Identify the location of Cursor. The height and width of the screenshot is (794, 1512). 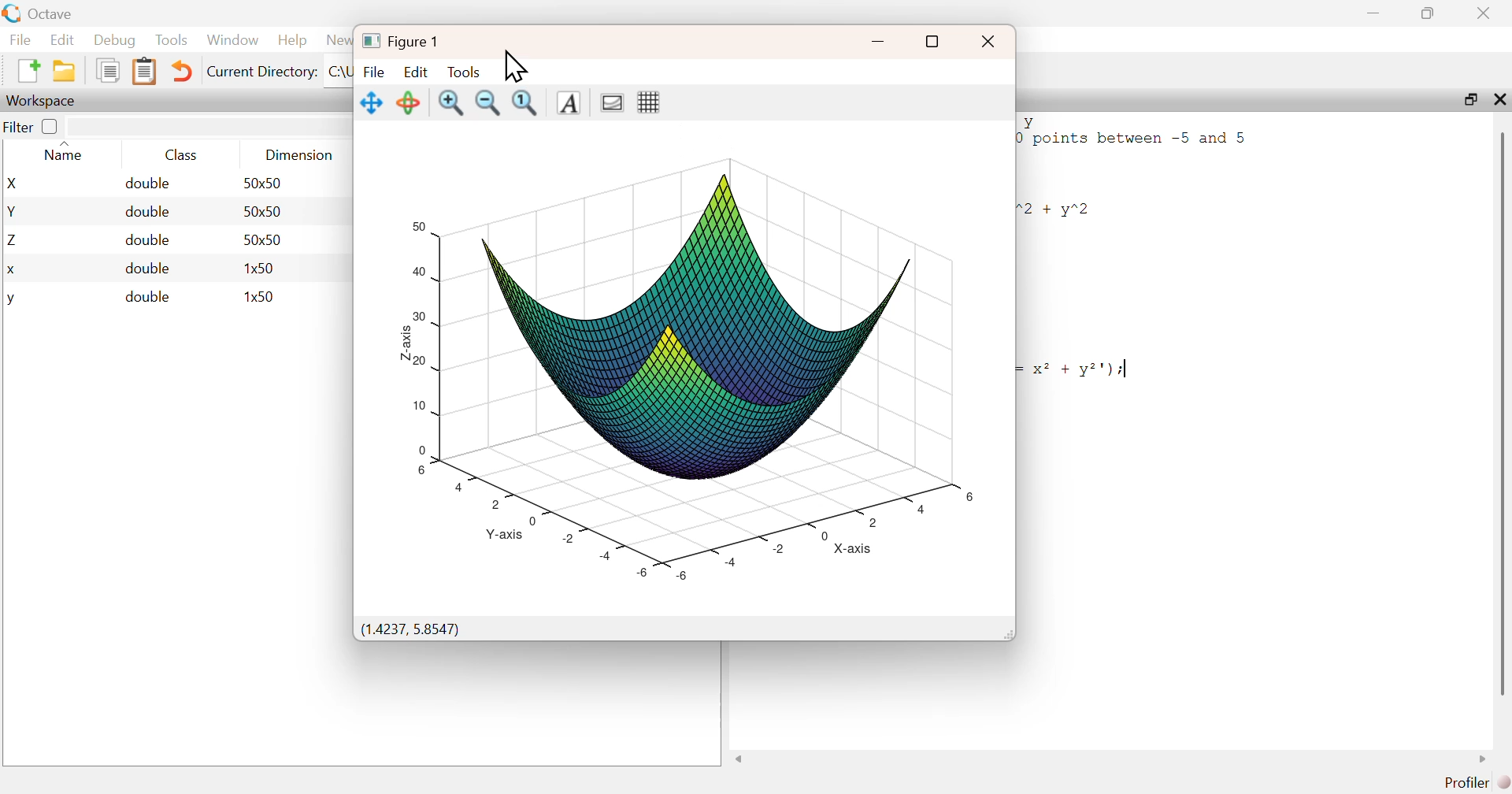
(513, 67).